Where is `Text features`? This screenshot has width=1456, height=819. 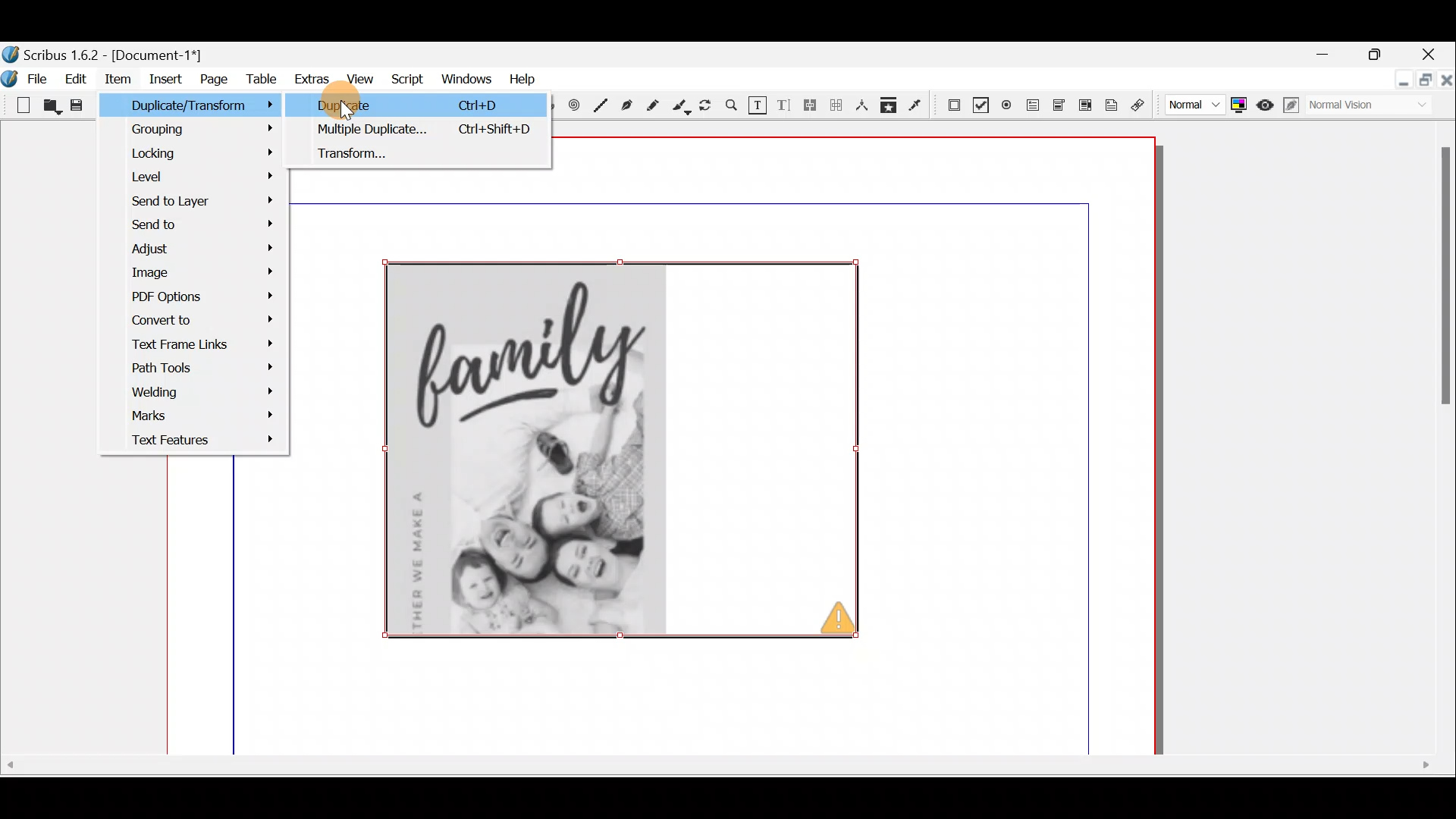
Text features is located at coordinates (195, 440).